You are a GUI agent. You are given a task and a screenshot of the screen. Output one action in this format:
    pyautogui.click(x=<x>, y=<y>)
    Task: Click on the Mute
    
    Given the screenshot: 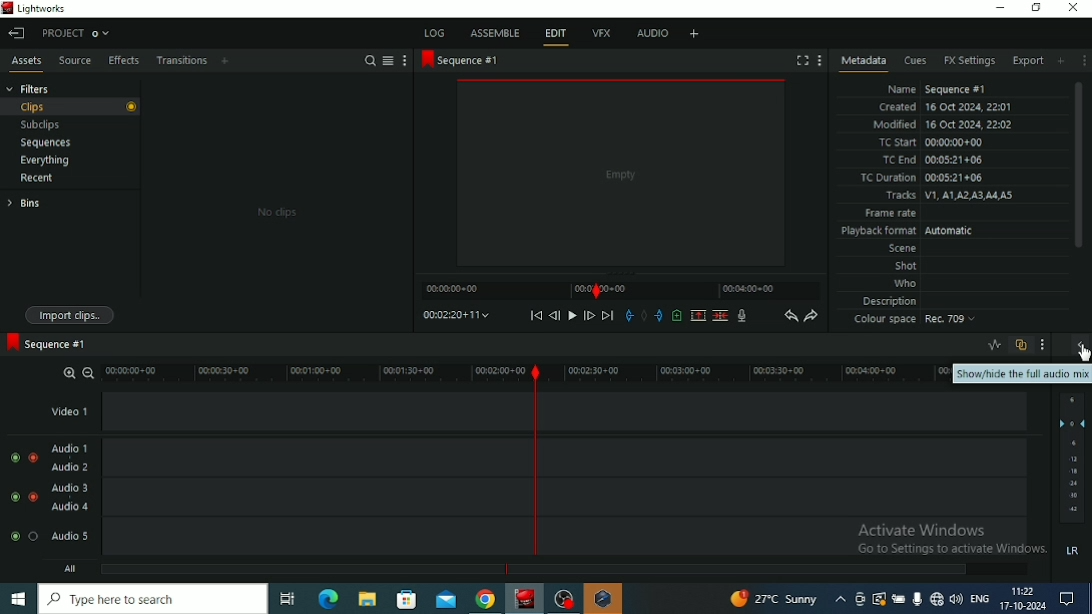 What is the action you would take?
    pyautogui.click(x=1074, y=552)
    